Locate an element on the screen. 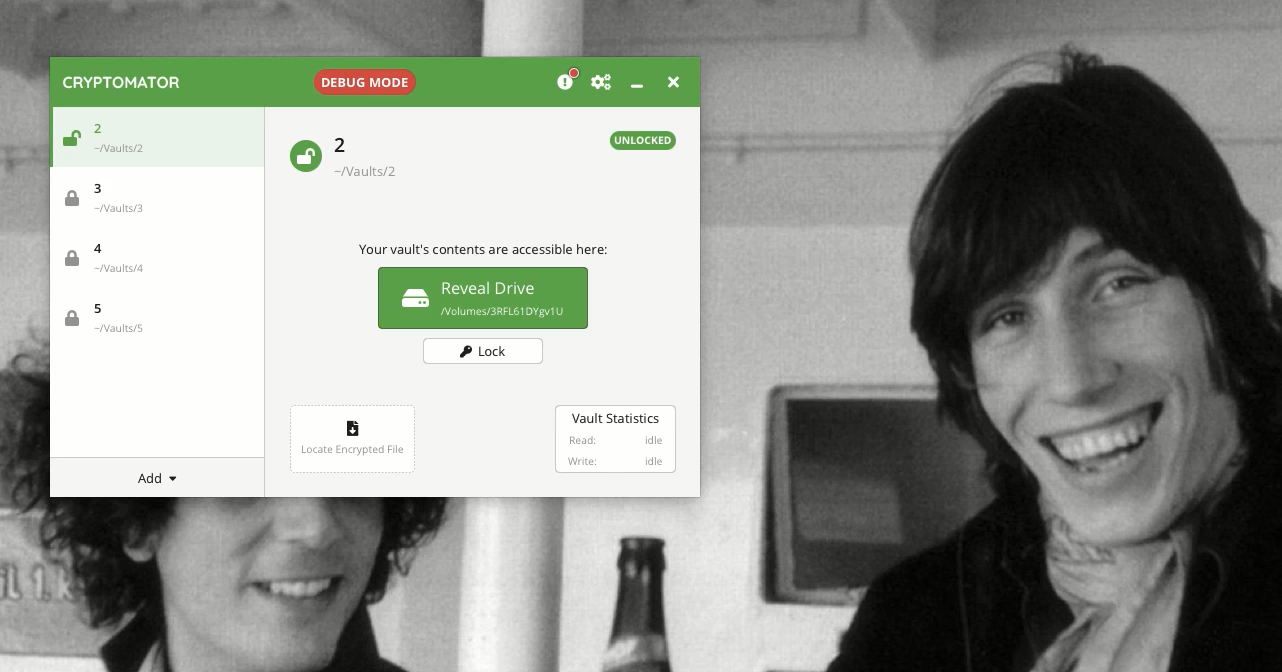 This screenshot has width=1282, height=672. Minimize is located at coordinates (636, 85).